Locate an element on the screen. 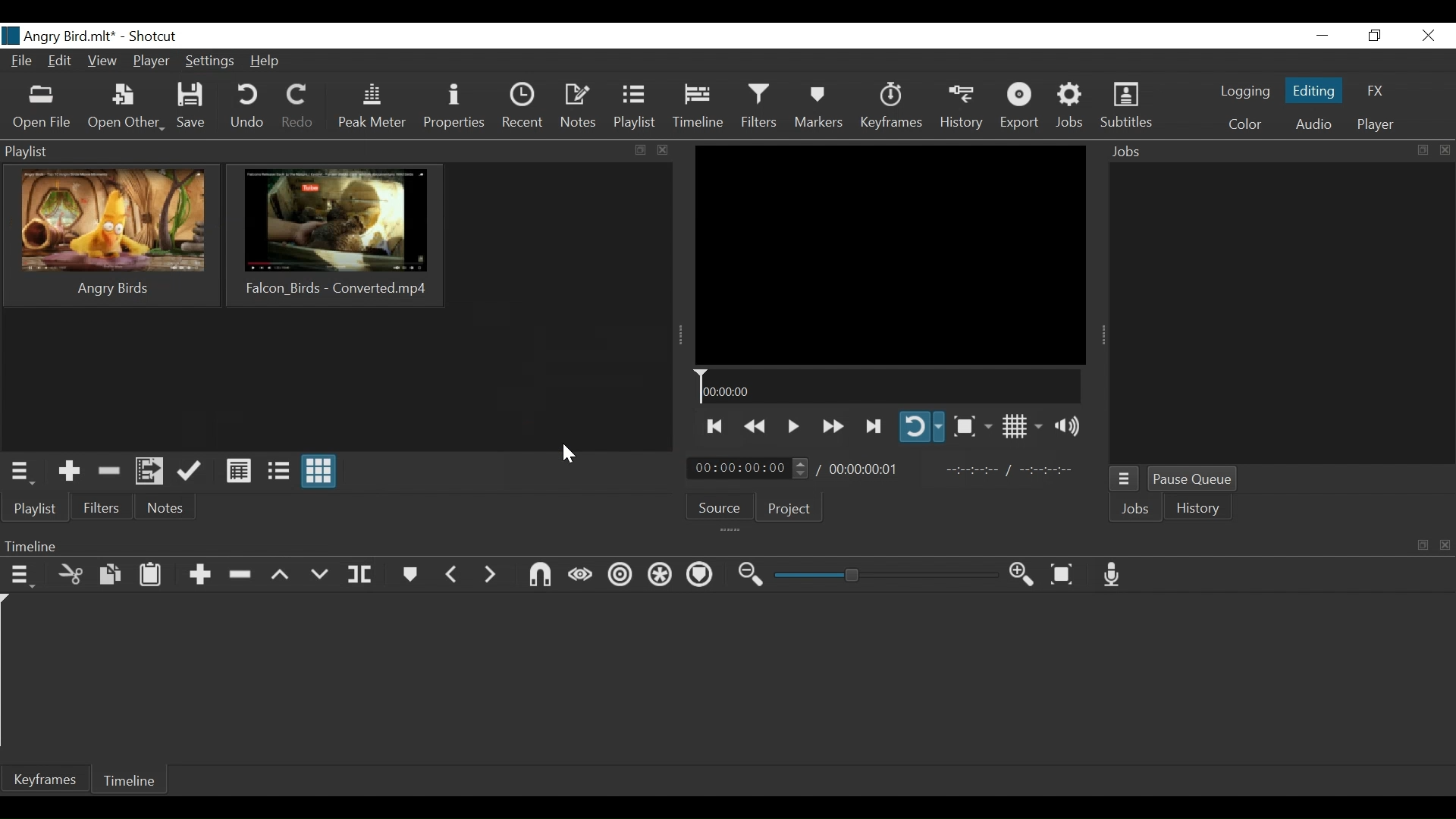  Overwrite is located at coordinates (321, 576).